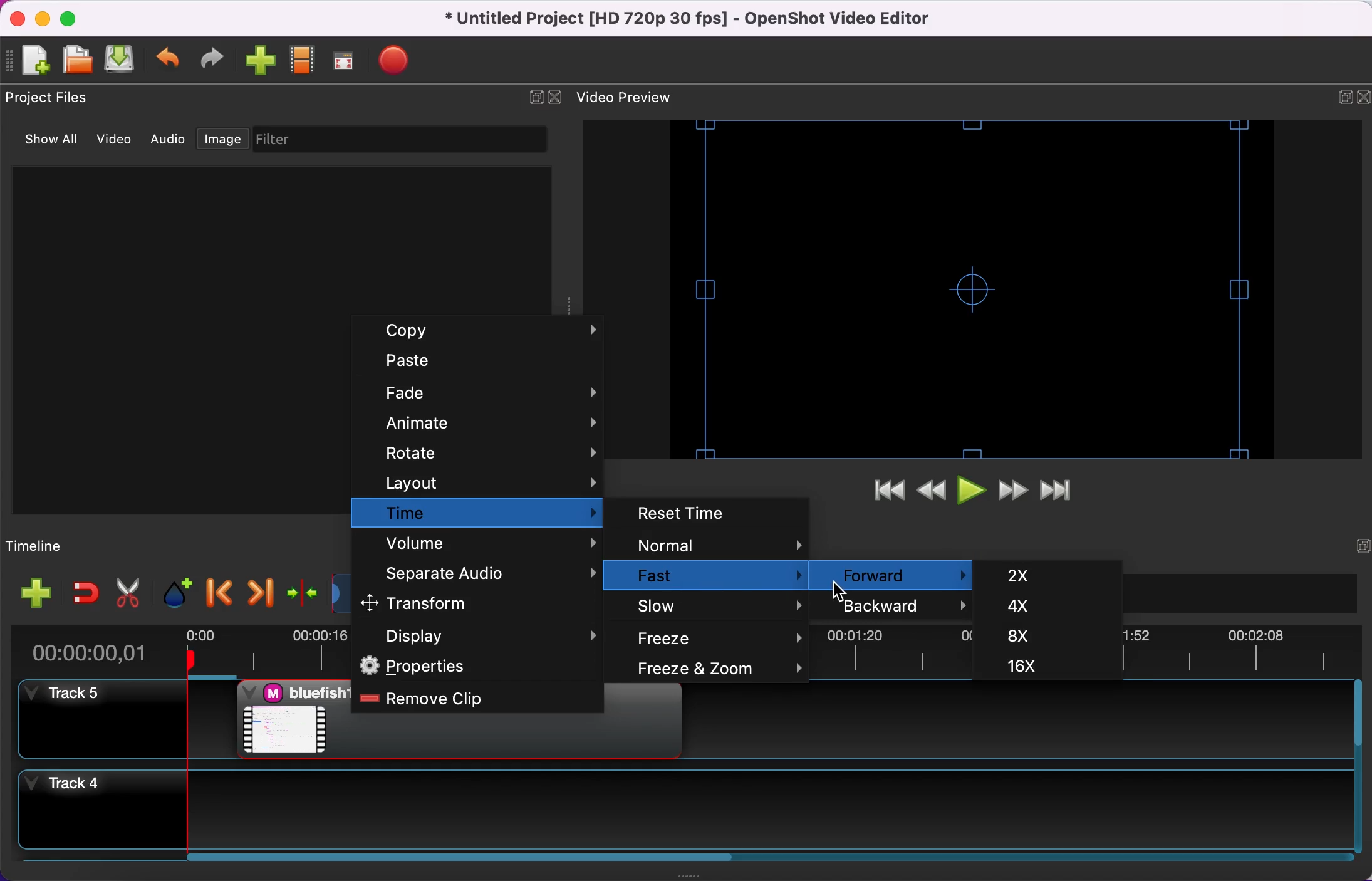 The width and height of the screenshot is (1372, 881). What do you see at coordinates (1042, 667) in the screenshot?
I see `16x` at bounding box center [1042, 667].